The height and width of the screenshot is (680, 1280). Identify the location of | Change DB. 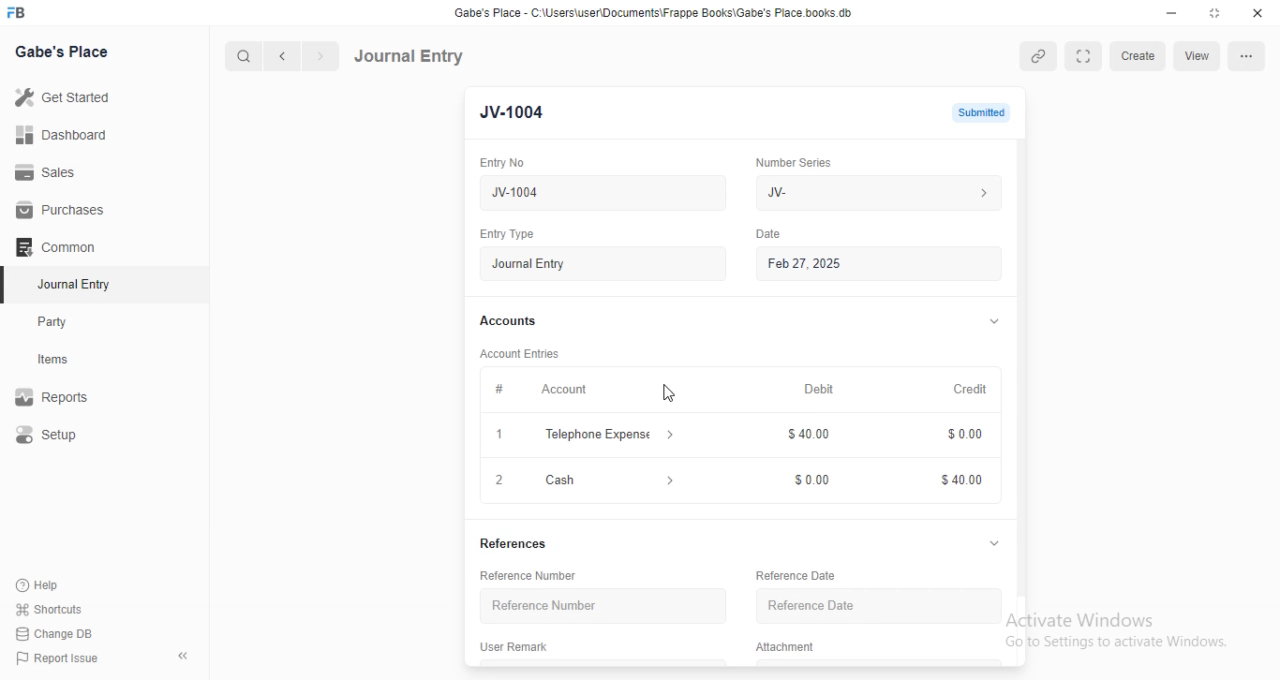
(55, 632).